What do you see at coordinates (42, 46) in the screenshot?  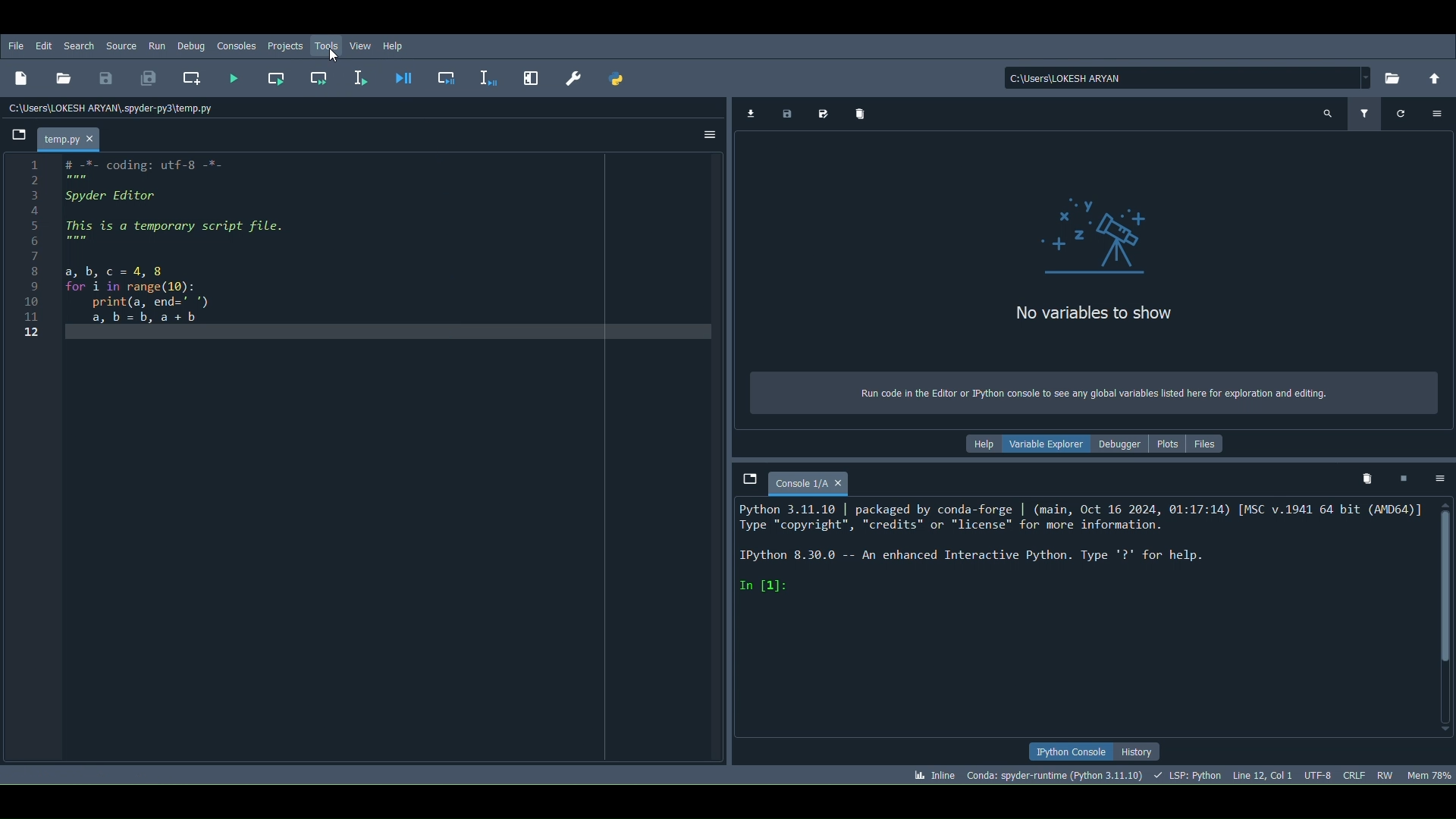 I see `Edit` at bounding box center [42, 46].